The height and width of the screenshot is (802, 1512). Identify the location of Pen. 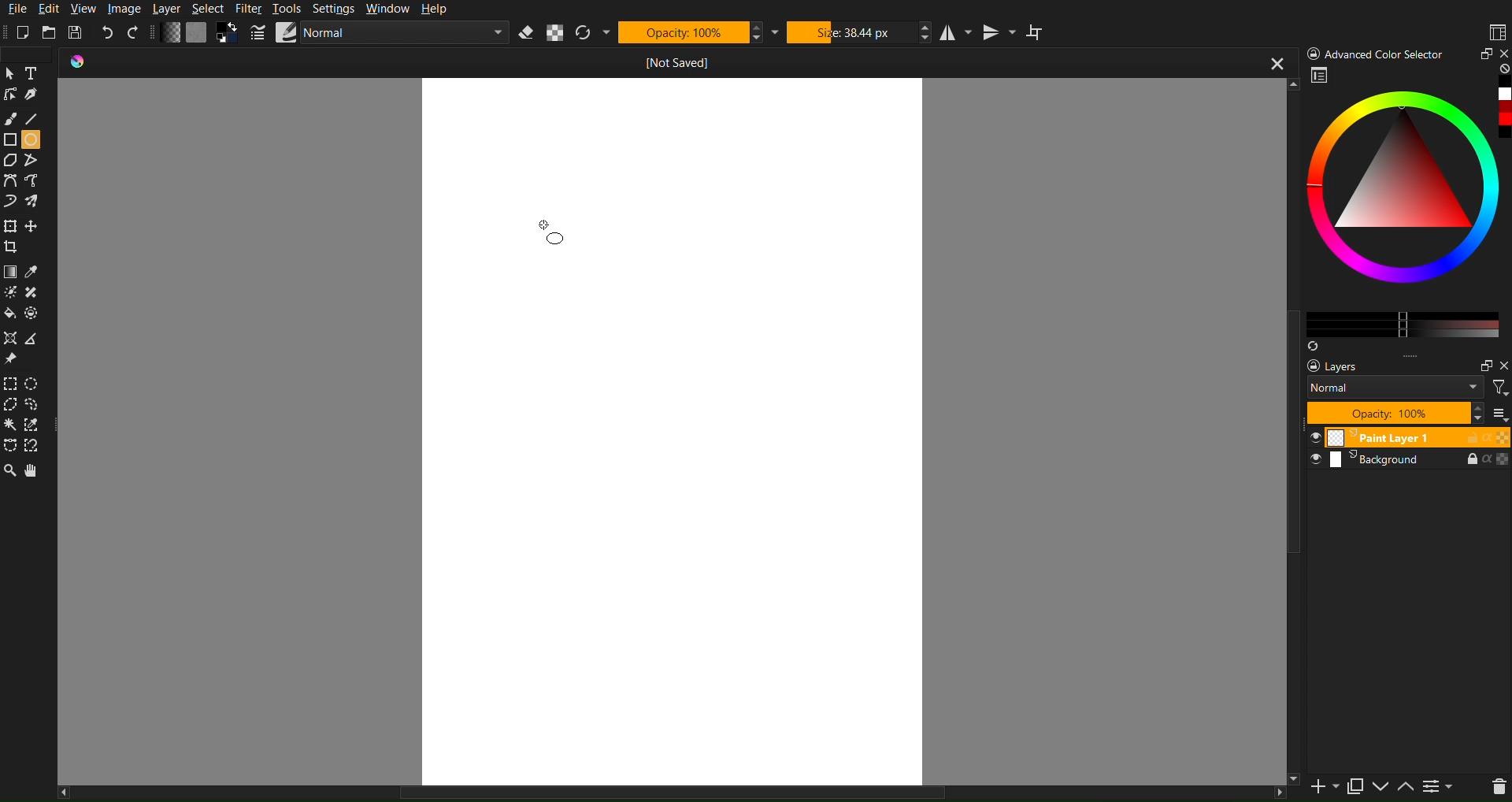
(33, 95).